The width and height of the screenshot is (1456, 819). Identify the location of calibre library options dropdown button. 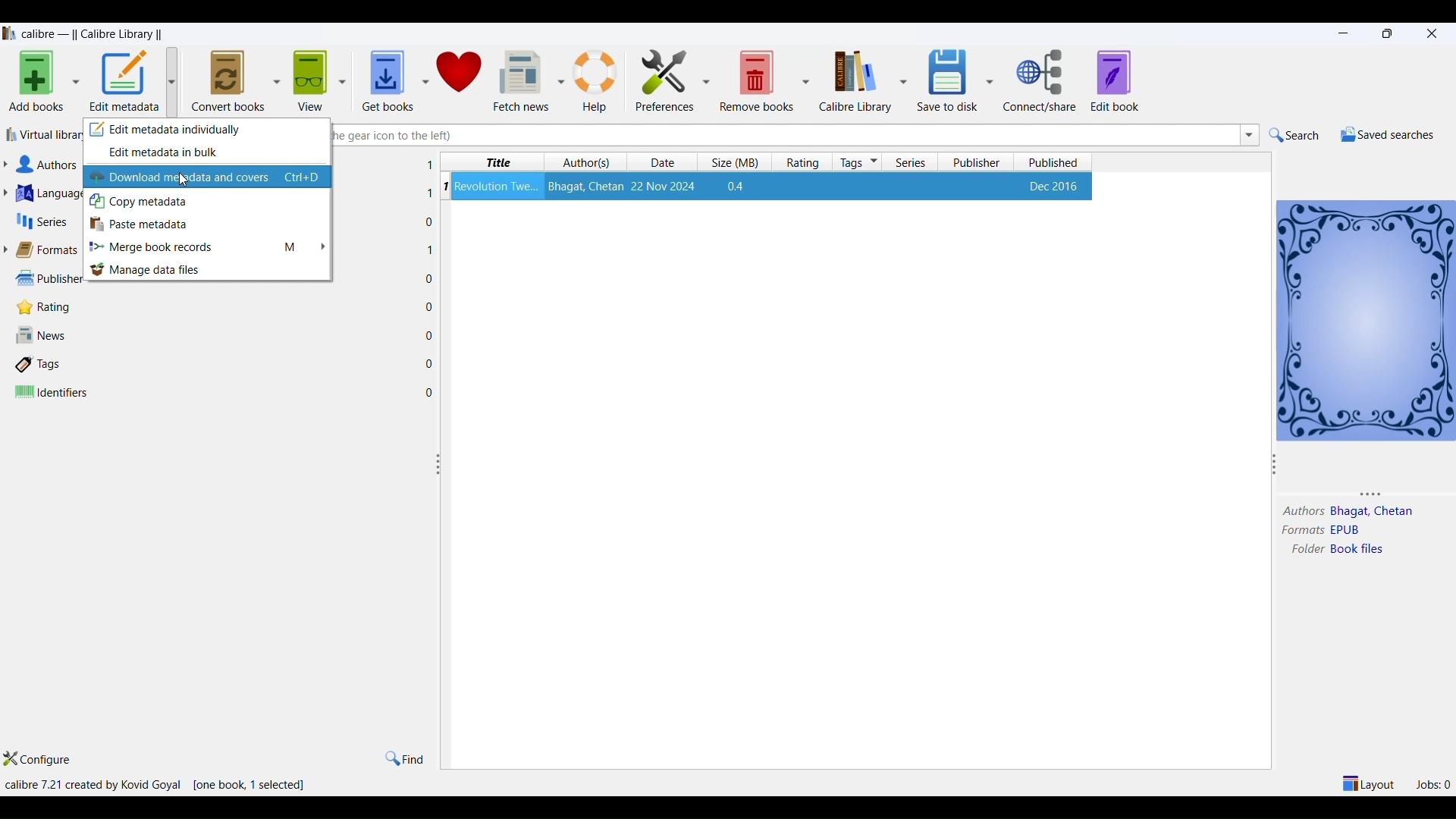
(903, 80).